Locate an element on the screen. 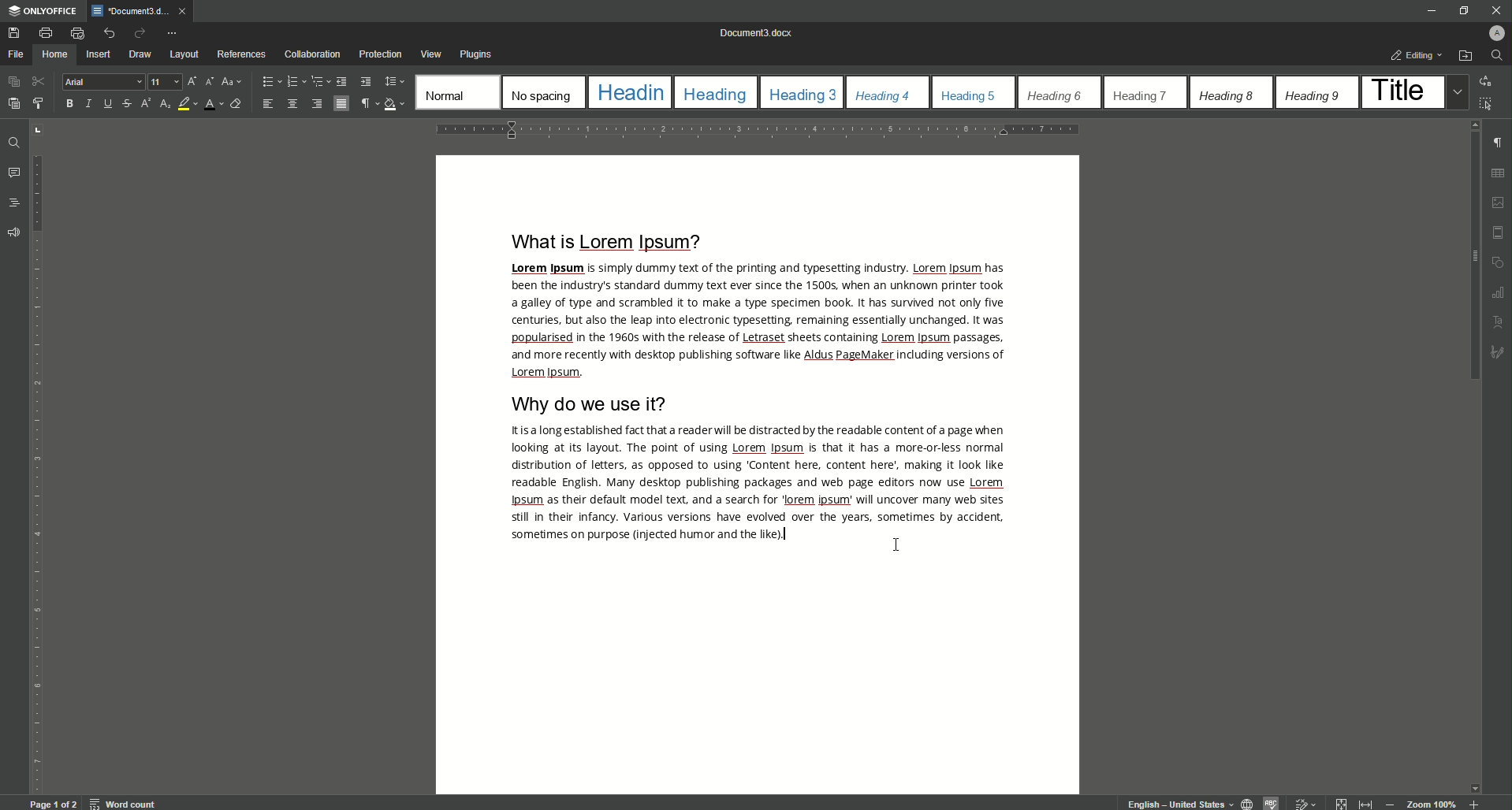 The height and width of the screenshot is (810, 1512). ONLYOFFICE is located at coordinates (40, 10).